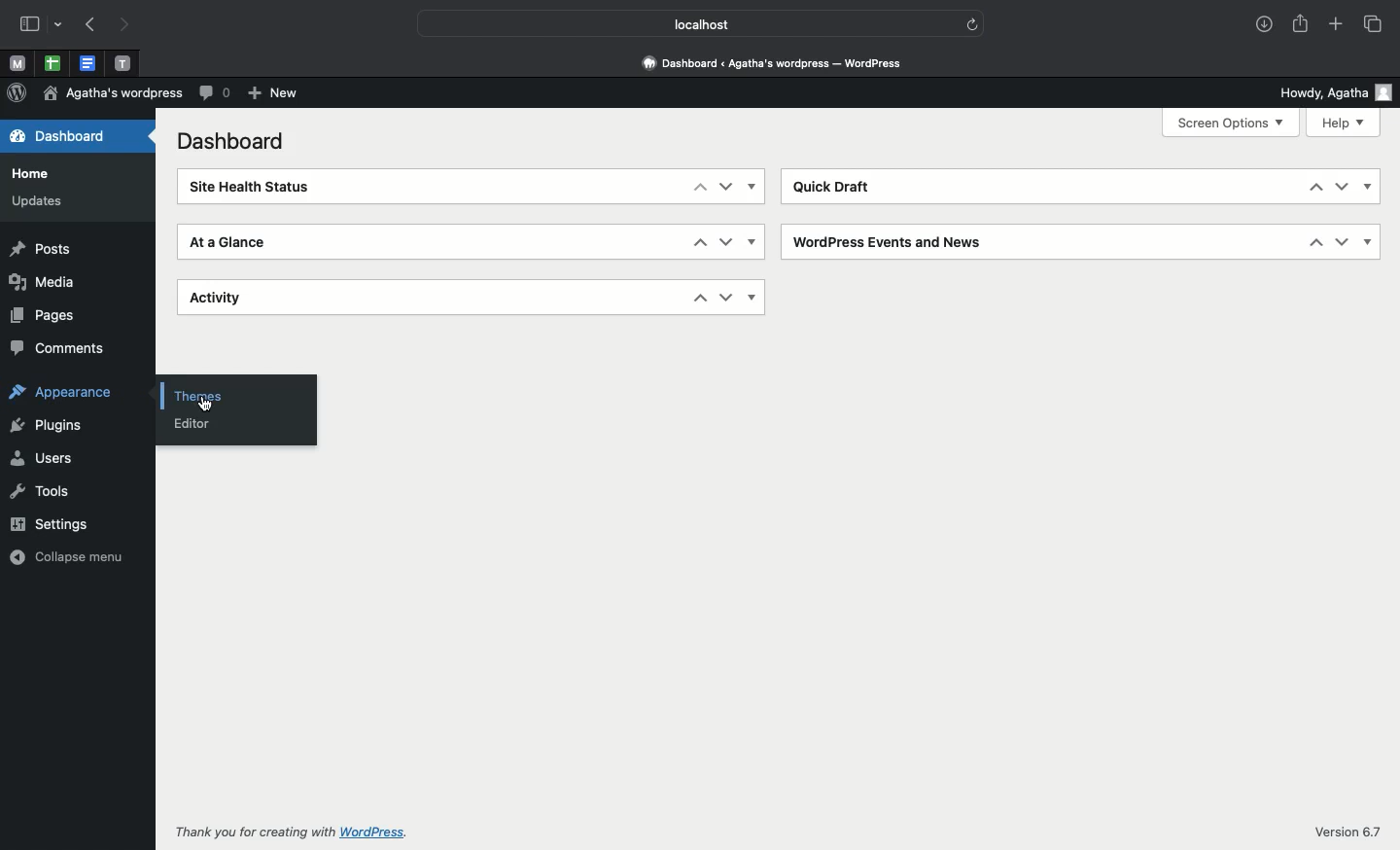  Describe the element at coordinates (753, 243) in the screenshot. I see `Show` at that location.